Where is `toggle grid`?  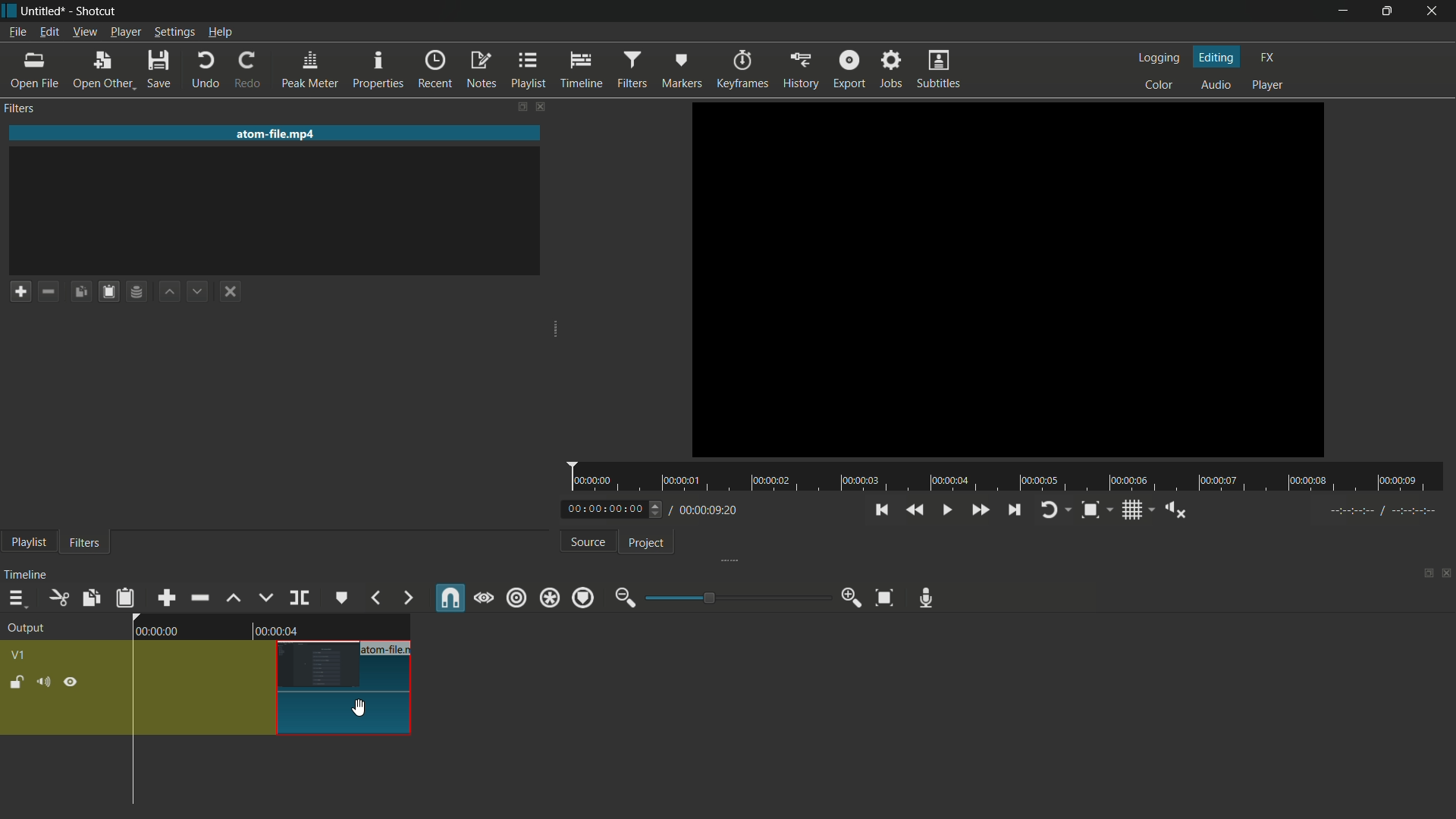
toggle grid is located at coordinates (1131, 509).